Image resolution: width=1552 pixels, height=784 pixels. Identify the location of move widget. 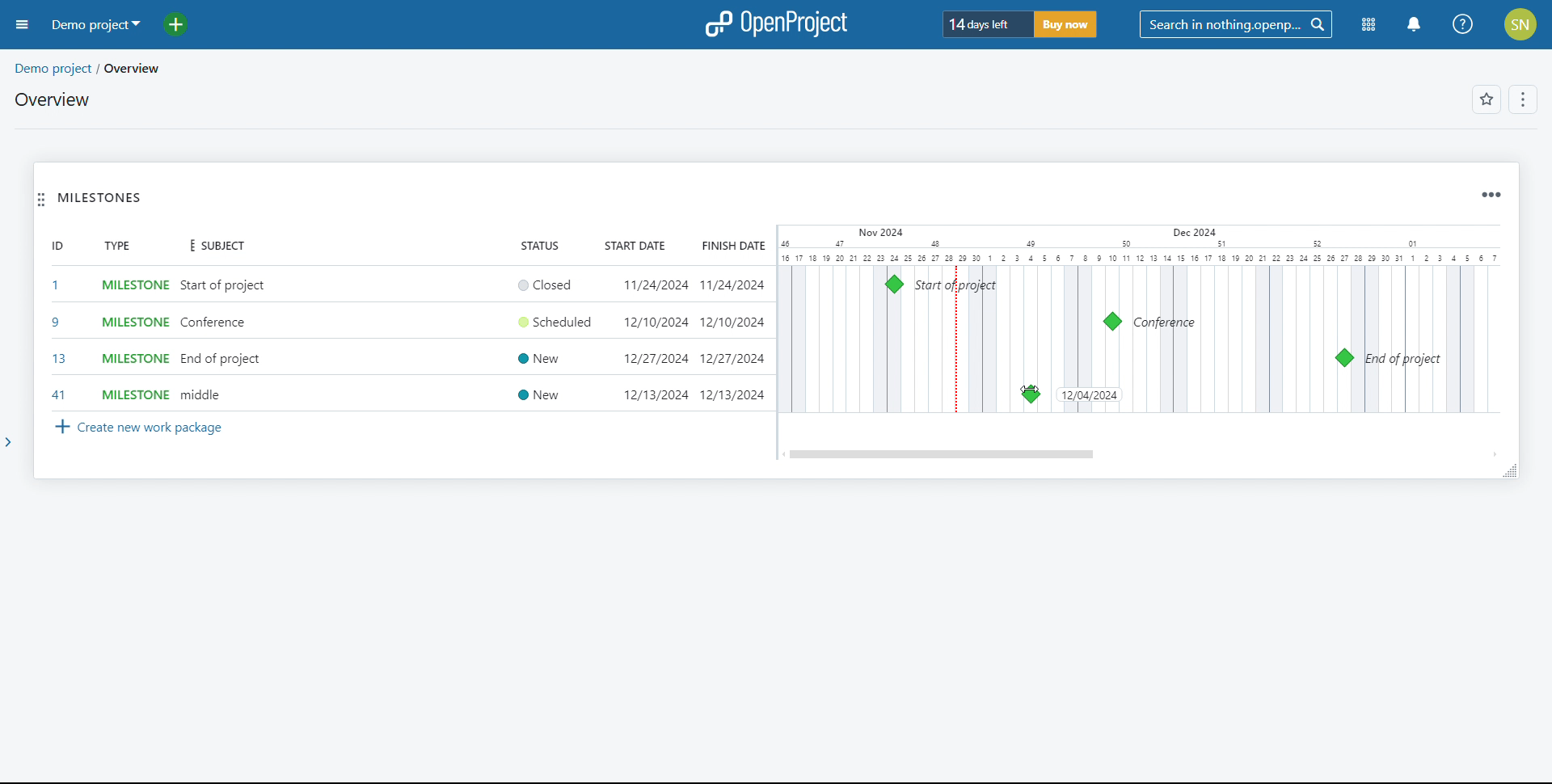
(41, 199).